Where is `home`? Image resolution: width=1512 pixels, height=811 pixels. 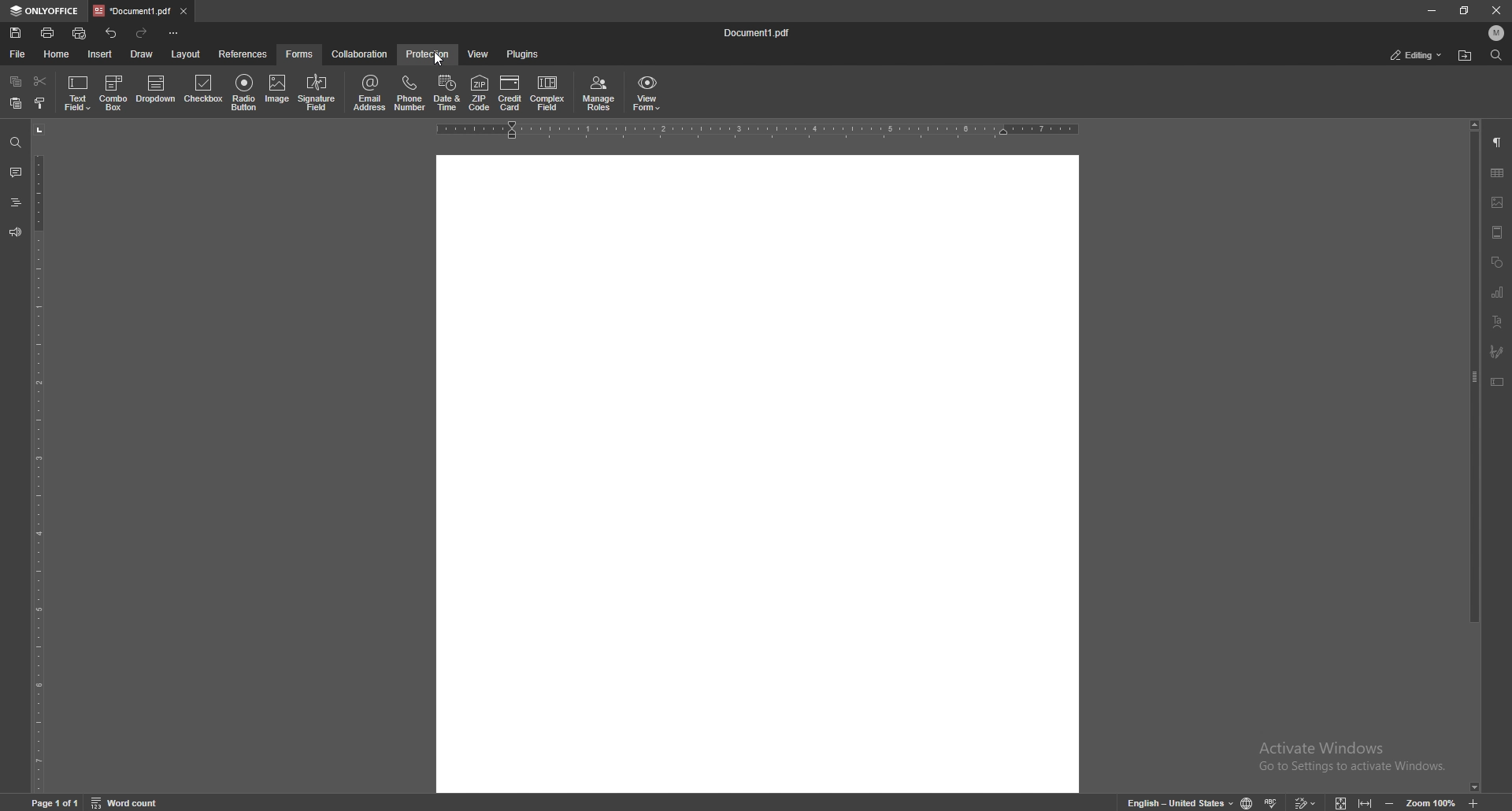 home is located at coordinates (59, 54).